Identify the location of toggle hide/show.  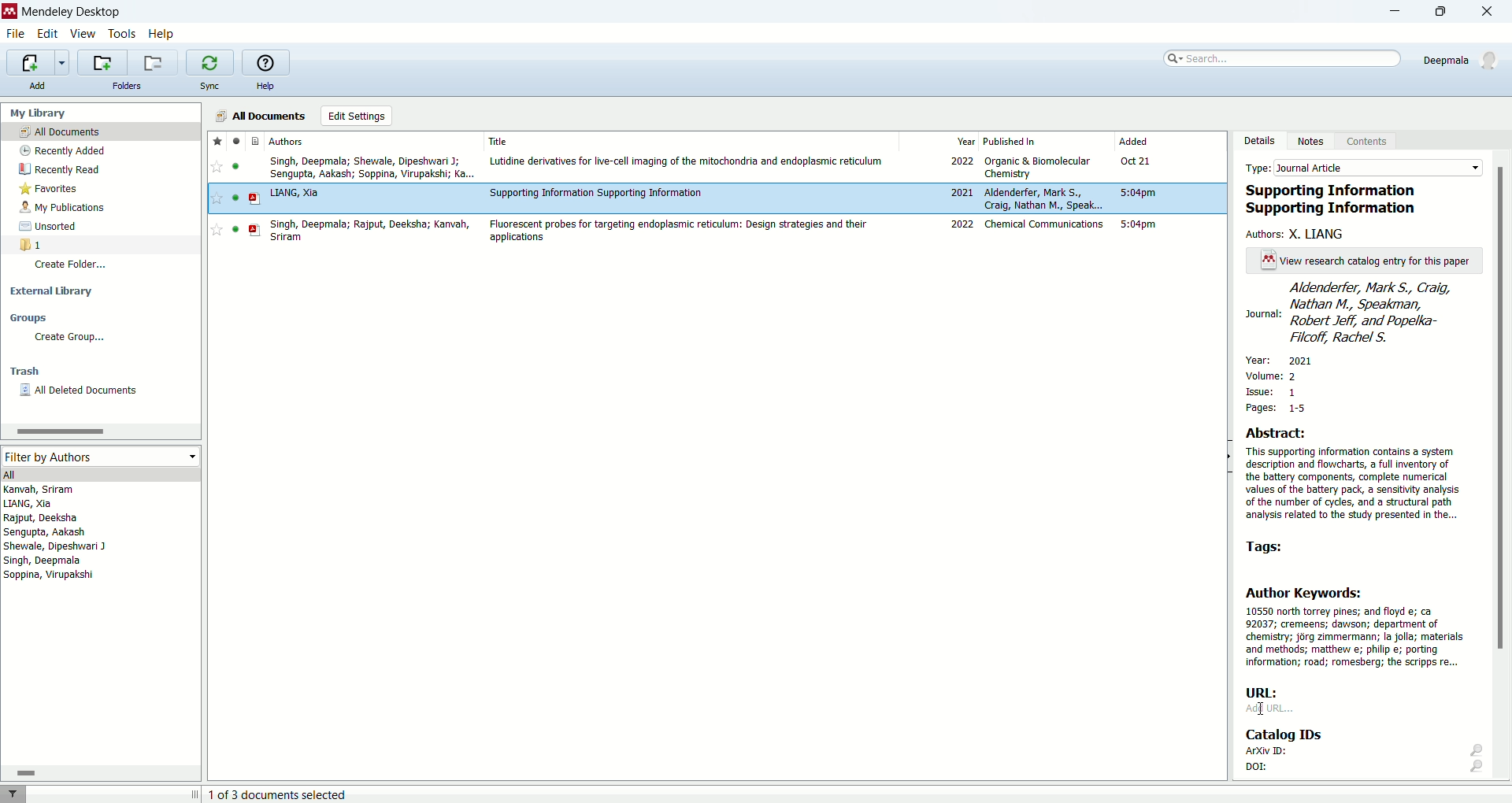
(1228, 457).